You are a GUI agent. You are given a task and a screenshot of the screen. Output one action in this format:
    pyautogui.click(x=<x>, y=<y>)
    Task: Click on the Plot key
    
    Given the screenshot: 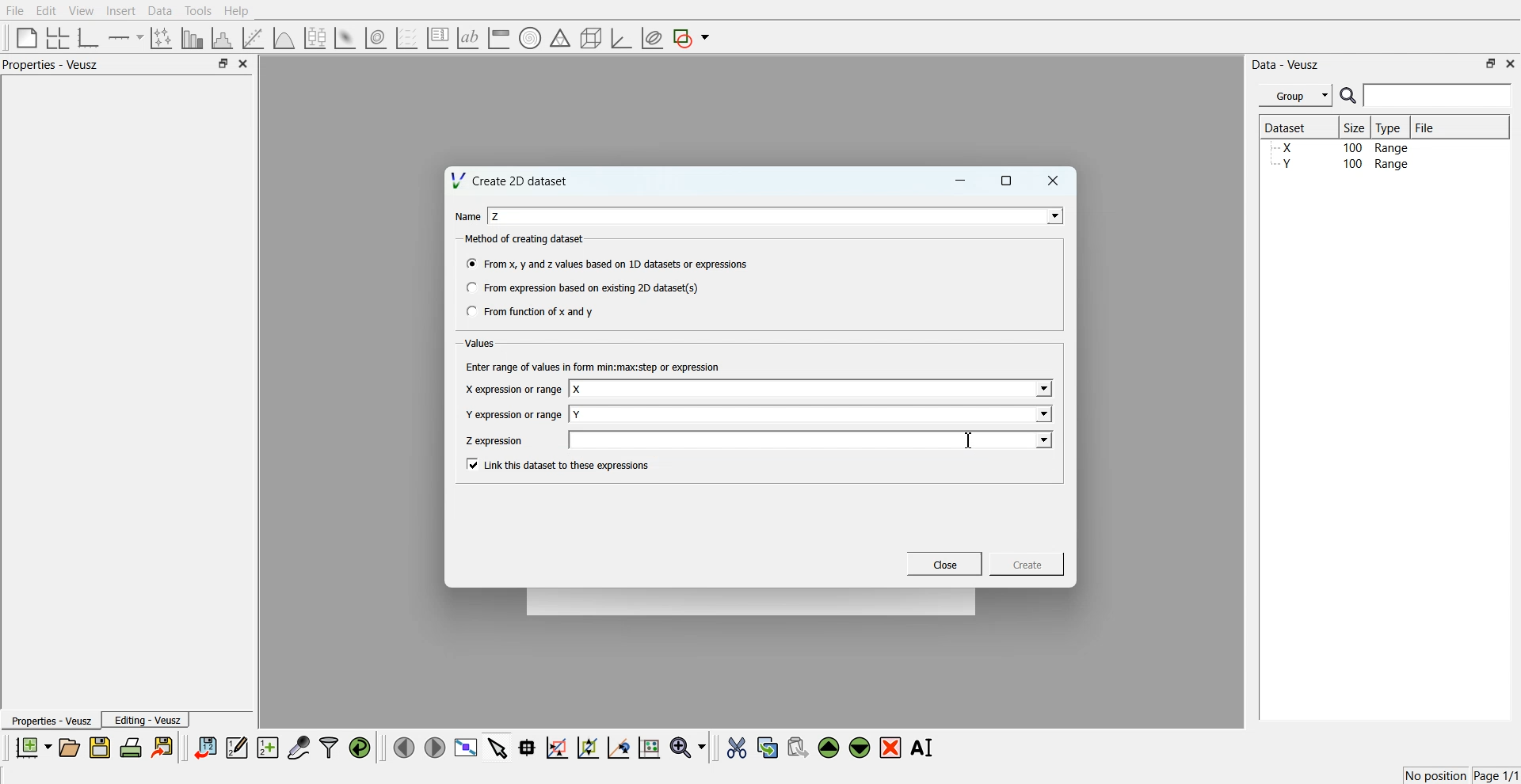 What is the action you would take?
    pyautogui.click(x=437, y=38)
    